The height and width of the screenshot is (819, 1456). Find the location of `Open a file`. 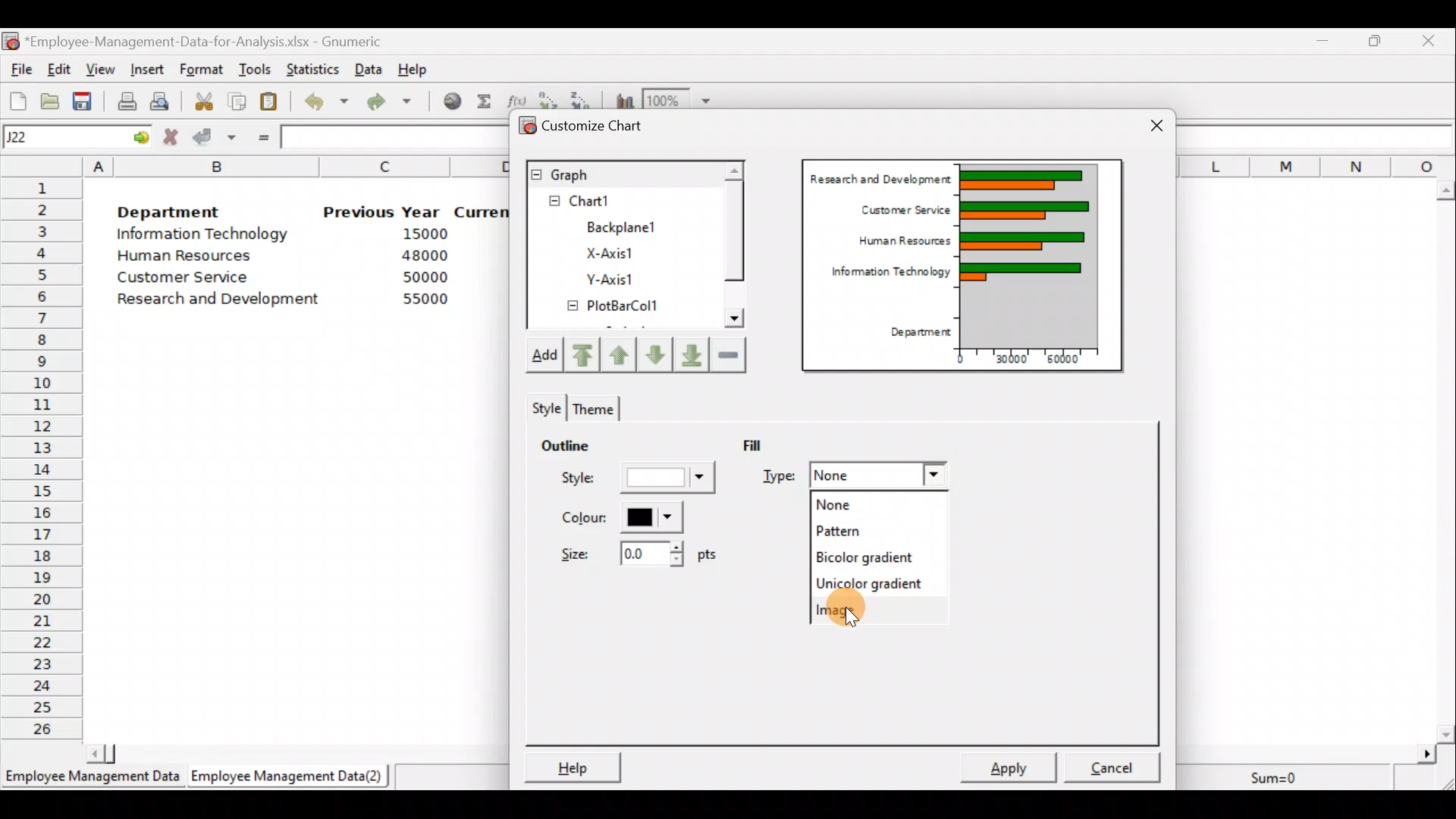

Open a file is located at coordinates (49, 99).